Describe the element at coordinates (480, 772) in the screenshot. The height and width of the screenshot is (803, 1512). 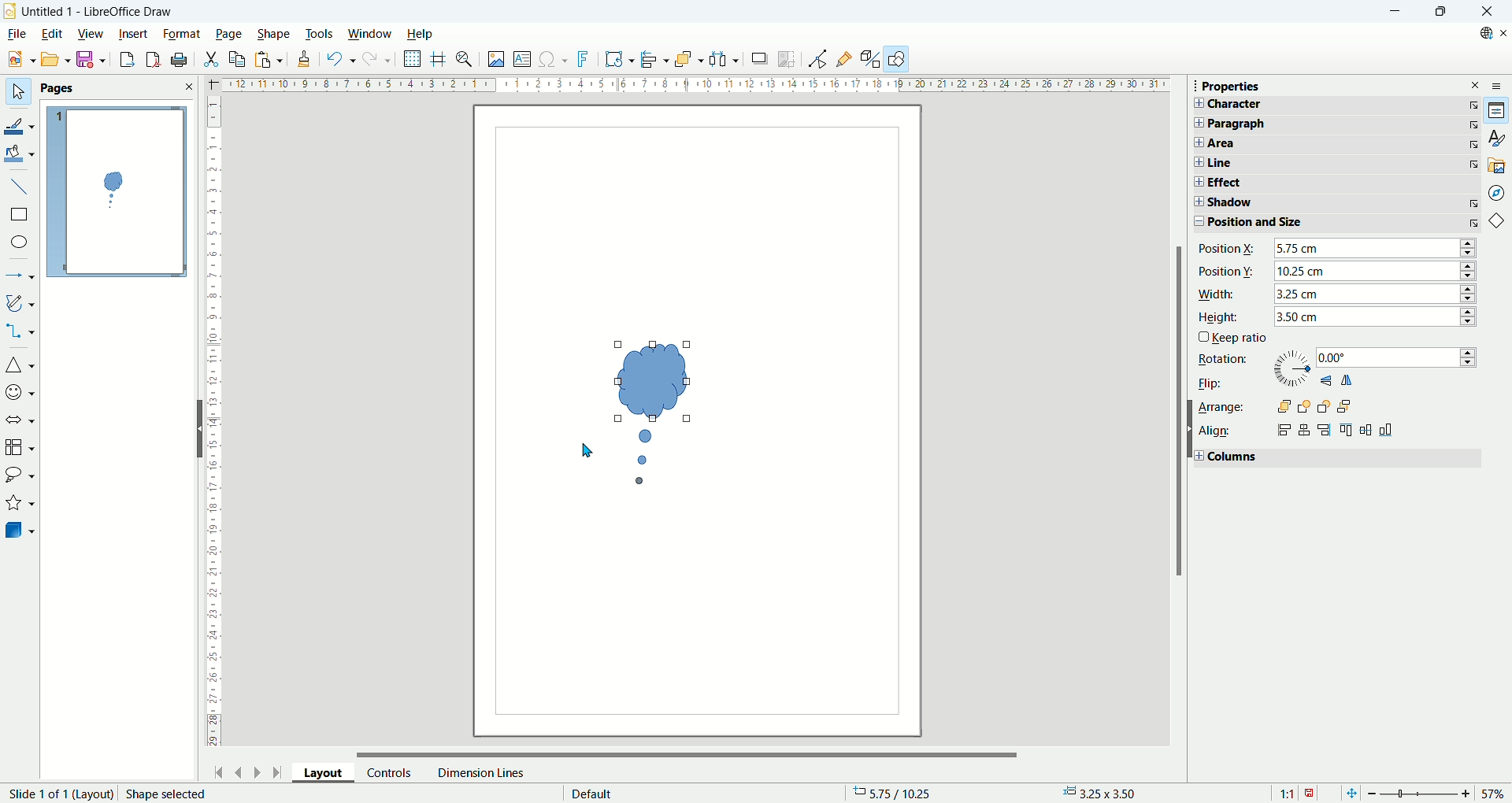
I see `dimension lines` at that location.